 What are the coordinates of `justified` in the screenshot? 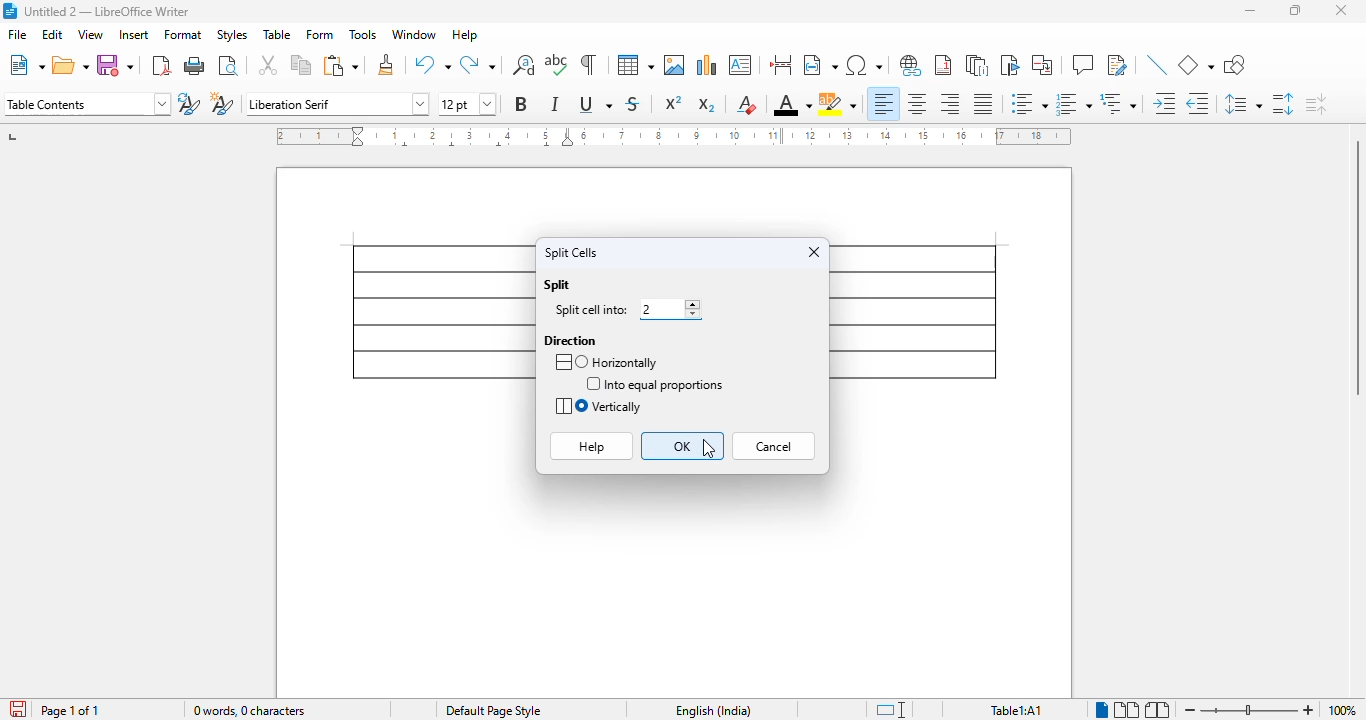 It's located at (983, 103).